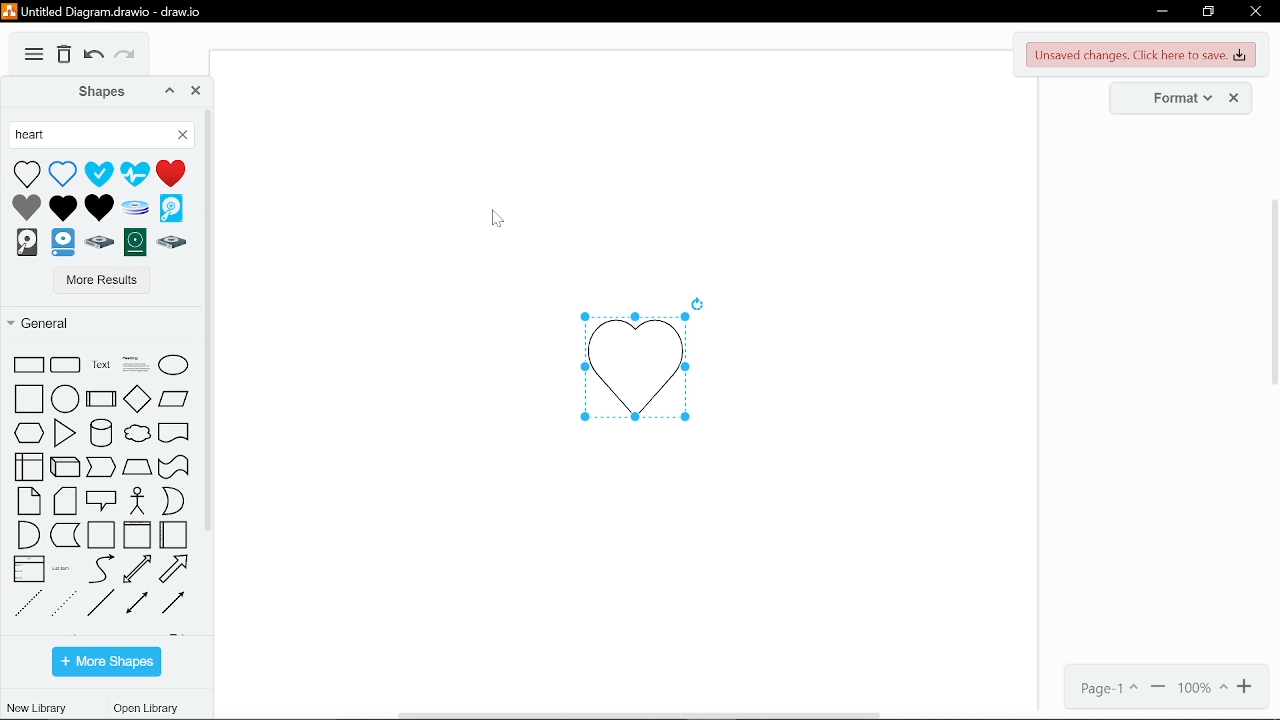 This screenshot has width=1280, height=720. Describe the element at coordinates (26, 434) in the screenshot. I see `hexagon` at that location.